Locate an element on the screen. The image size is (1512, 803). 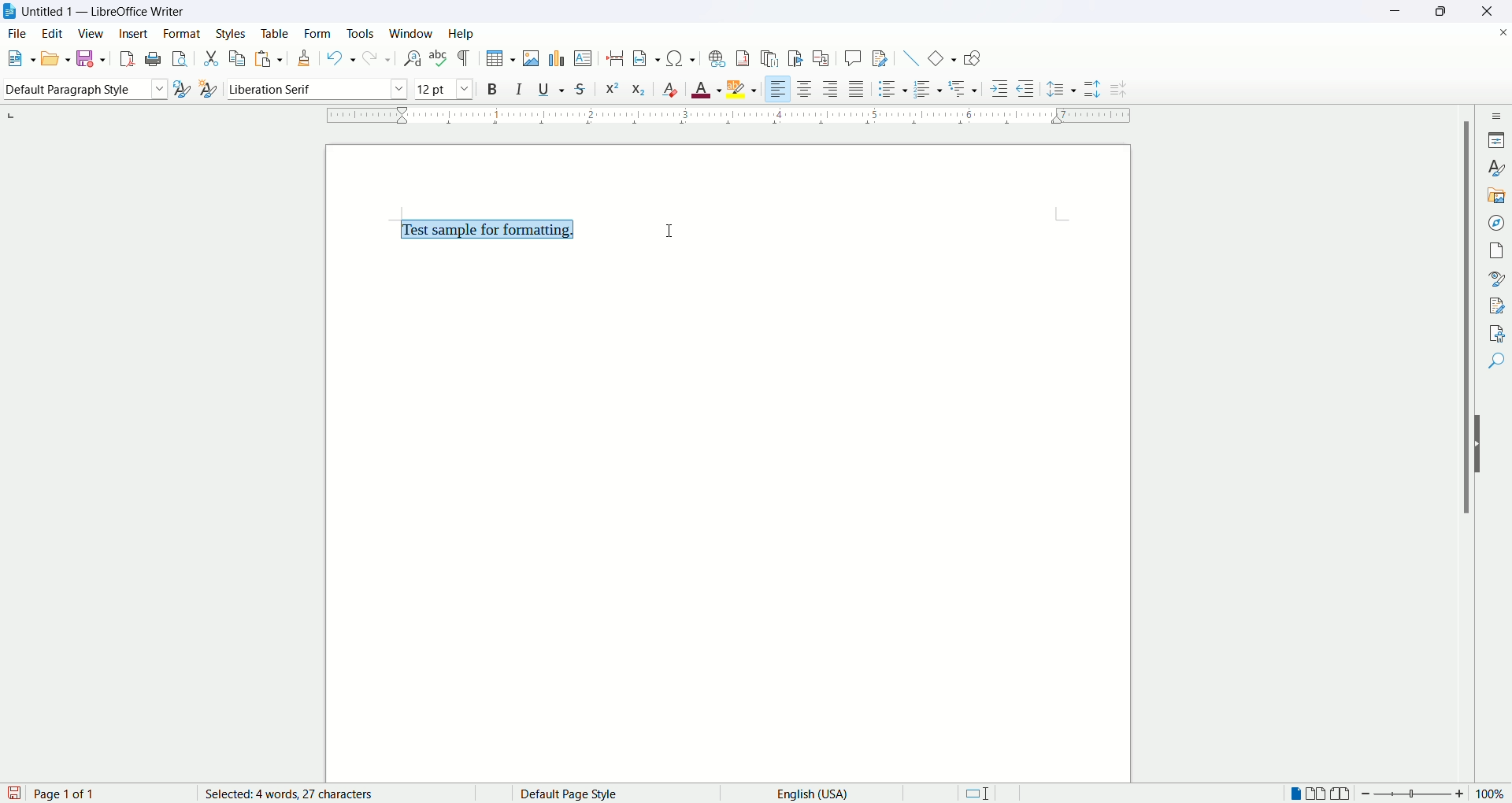
style inspector is located at coordinates (1496, 278).